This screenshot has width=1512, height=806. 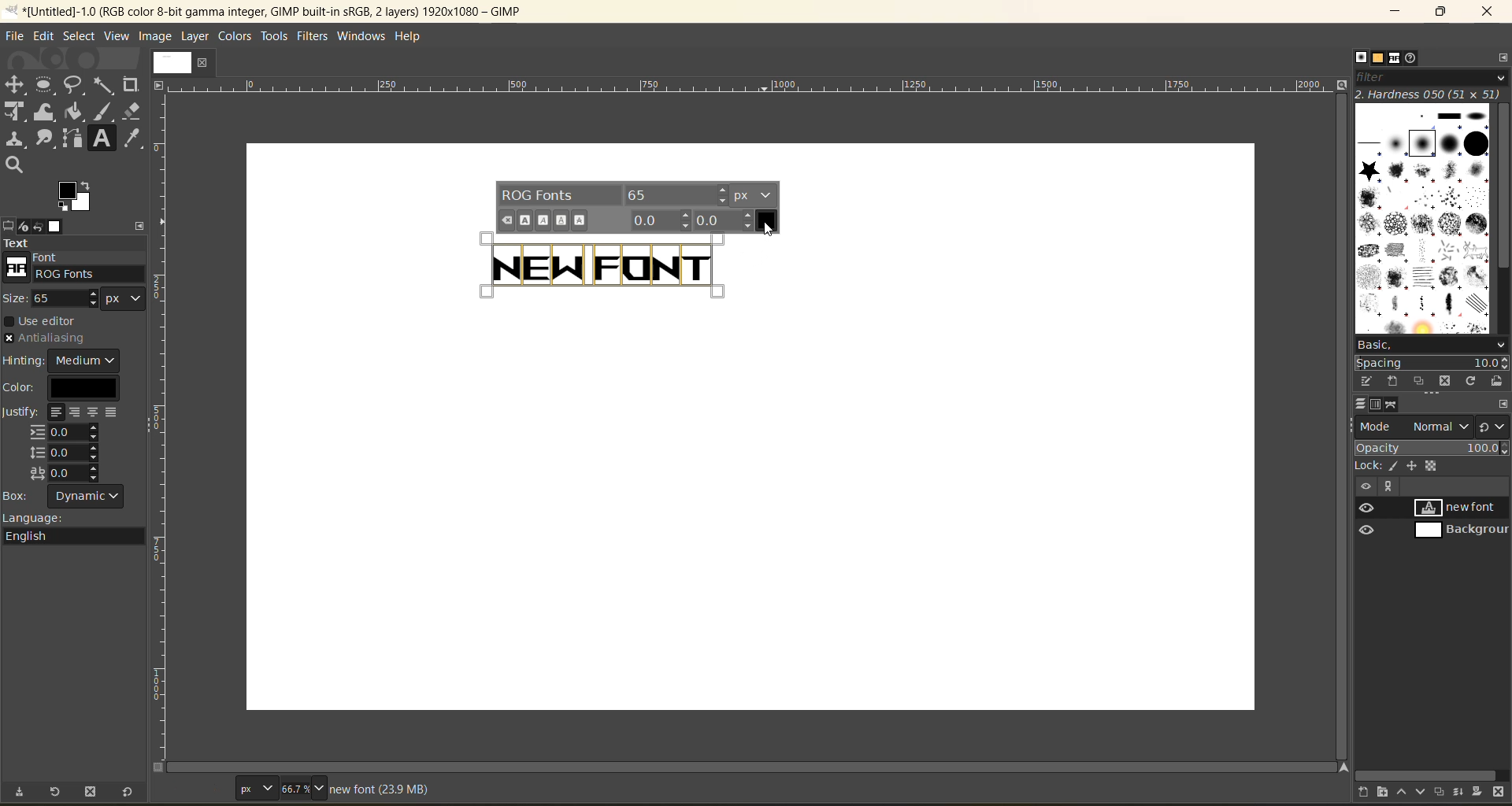 I want to click on close, so click(x=212, y=64).